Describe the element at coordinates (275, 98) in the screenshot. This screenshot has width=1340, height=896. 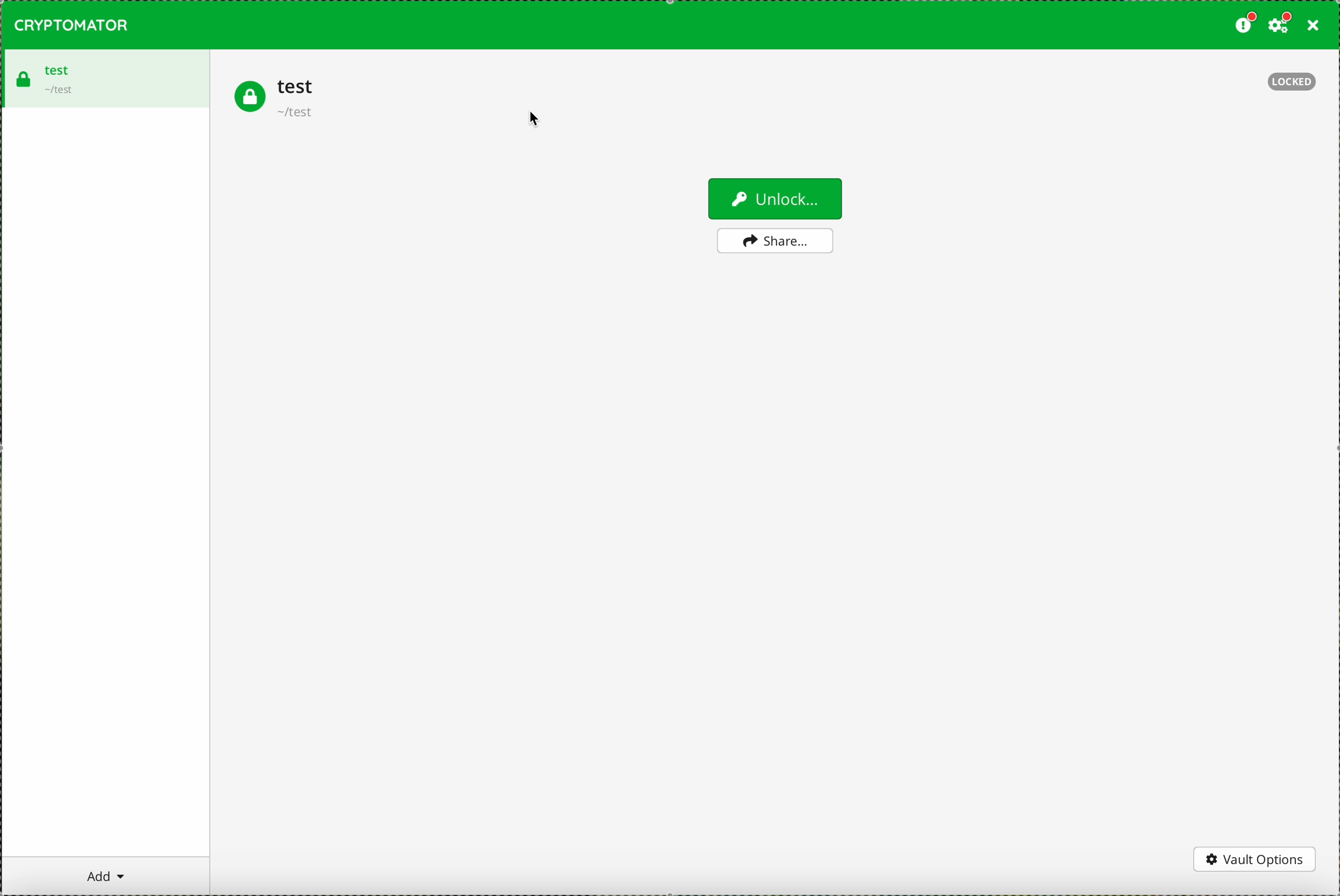
I see `test vault` at that location.